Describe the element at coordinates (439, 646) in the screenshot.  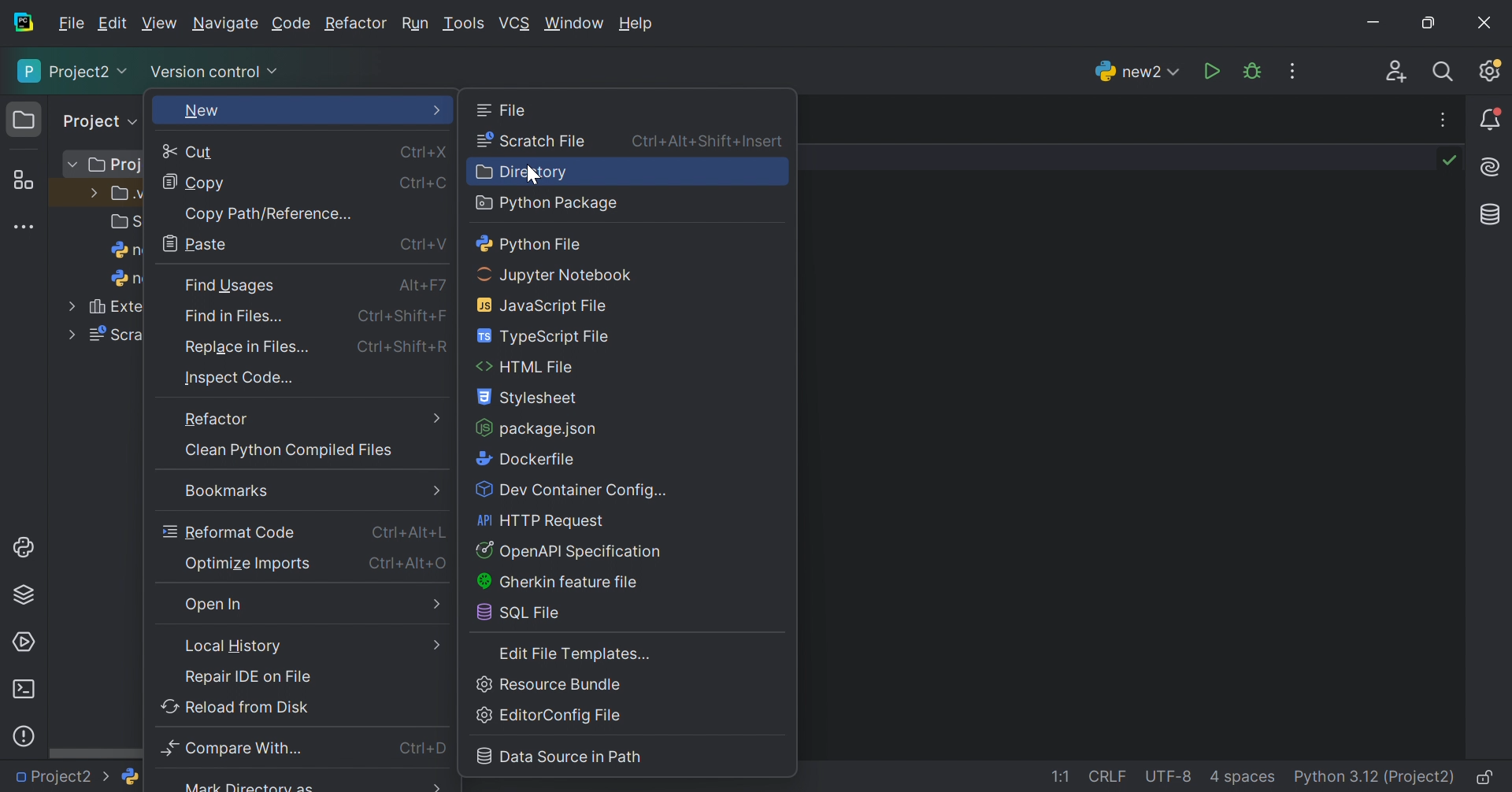
I see `more` at that location.